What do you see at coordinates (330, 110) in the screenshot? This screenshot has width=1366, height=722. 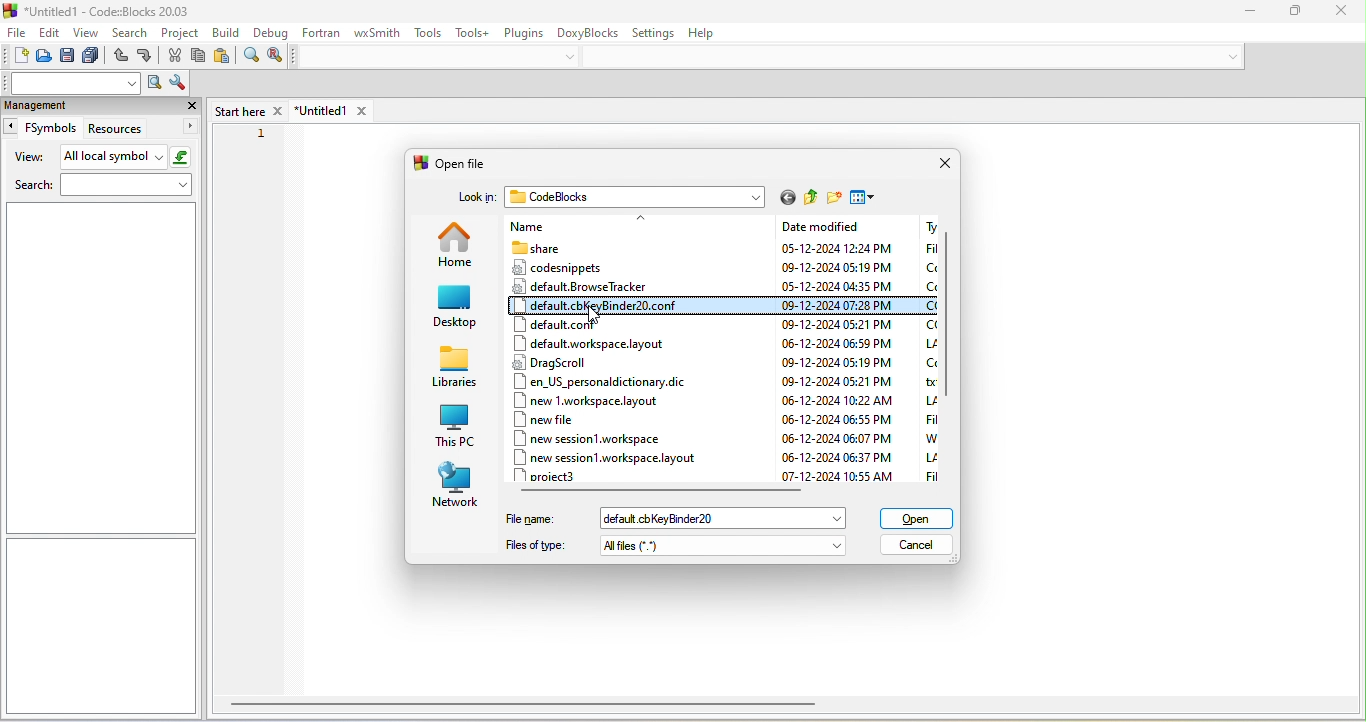 I see `untitled1` at bounding box center [330, 110].